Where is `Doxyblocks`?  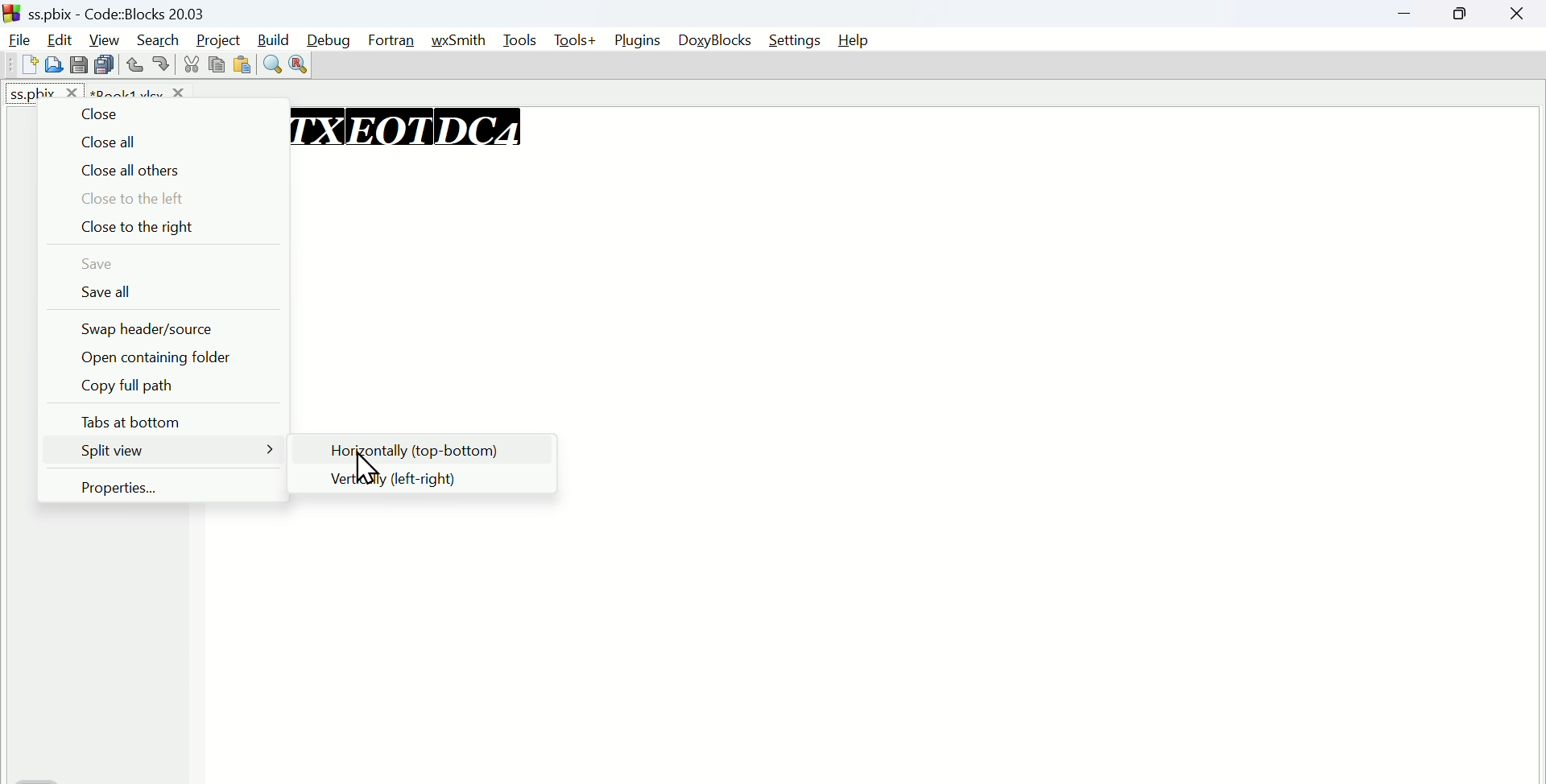 Doxyblocks is located at coordinates (715, 41).